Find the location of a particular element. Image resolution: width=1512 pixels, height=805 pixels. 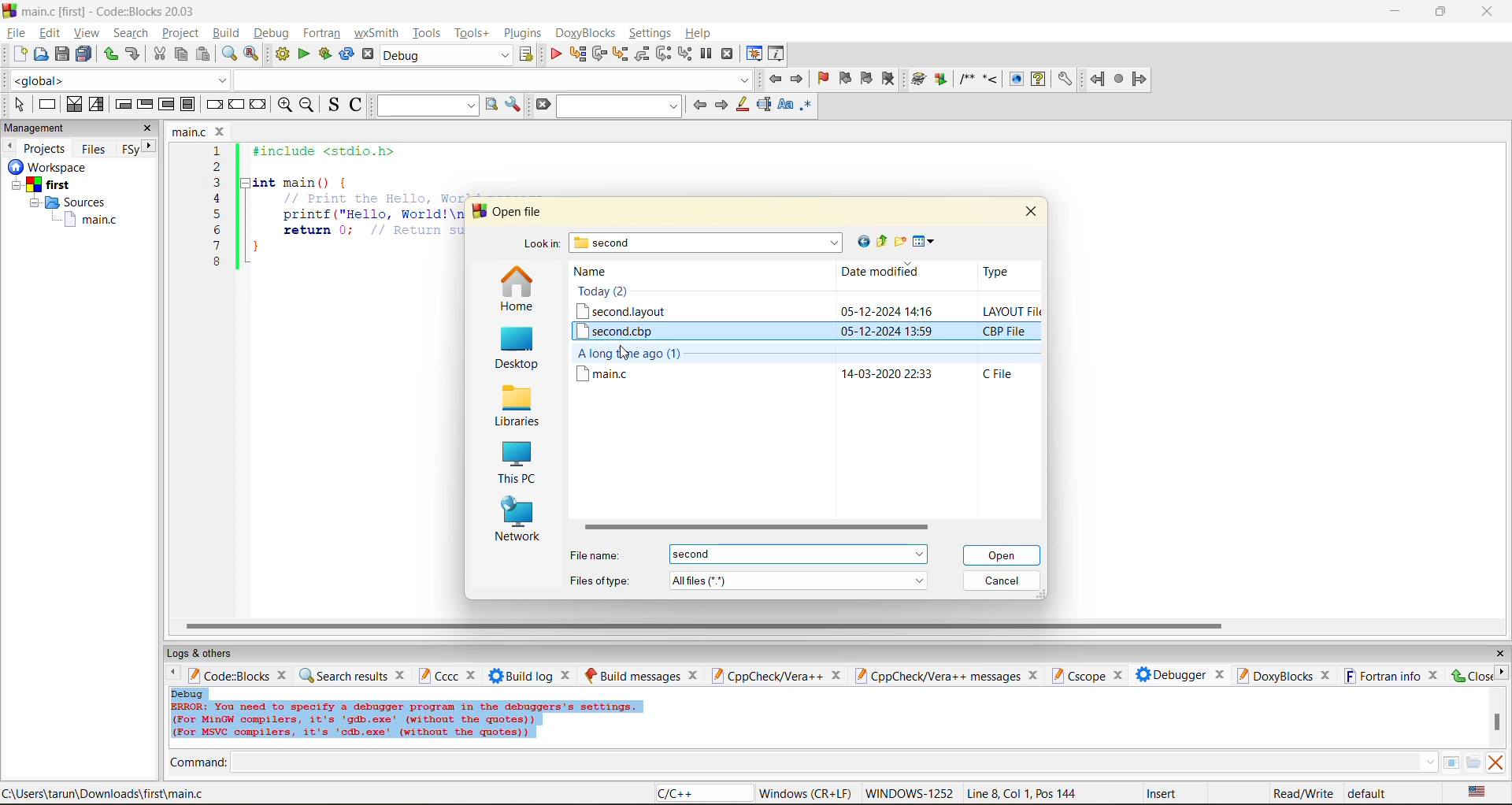

next bookmark is located at coordinates (868, 76).